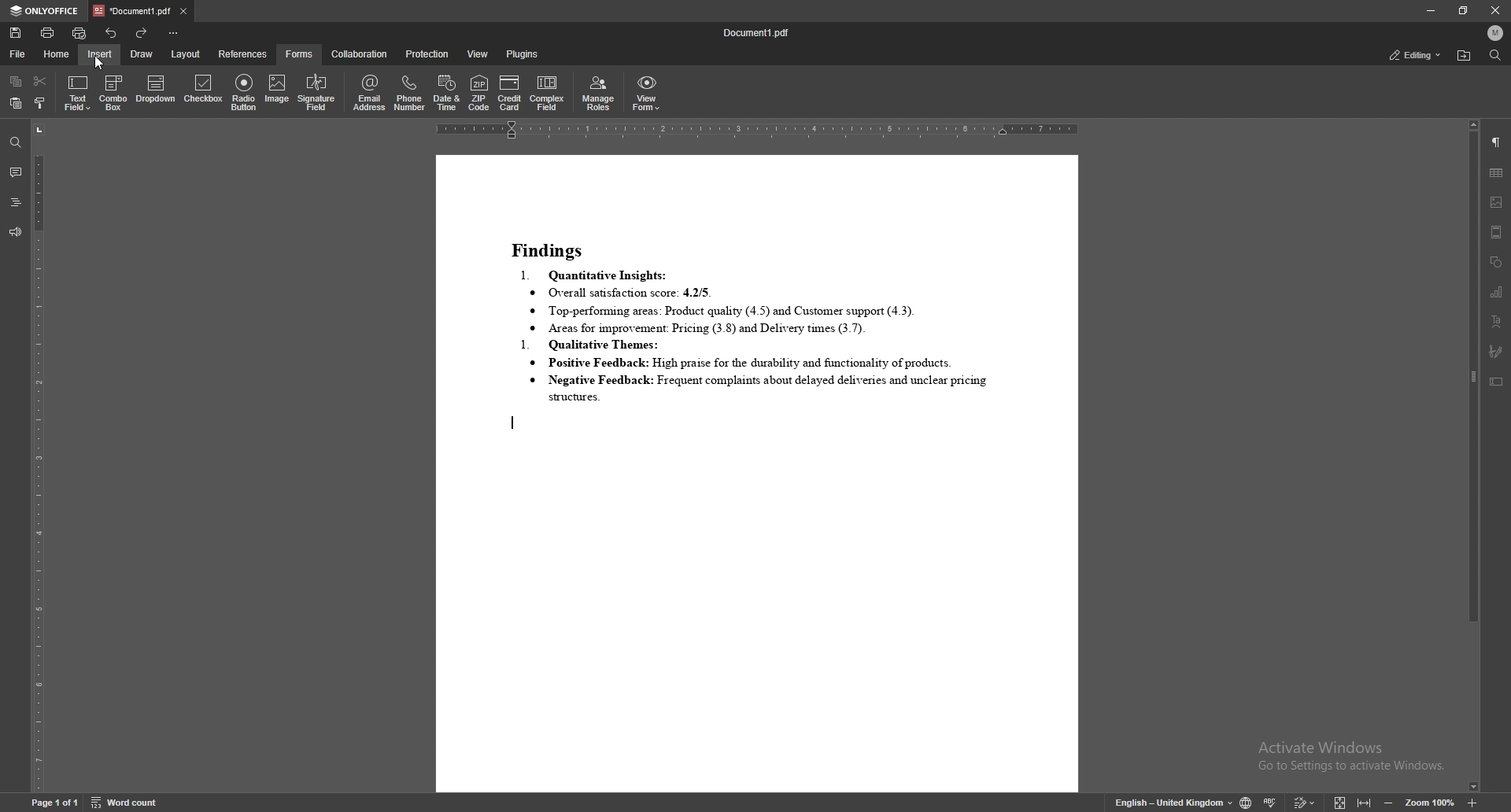 This screenshot has height=812, width=1511. What do you see at coordinates (1429, 10) in the screenshot?
I see `minimize` at bounding box center [1429, 10].